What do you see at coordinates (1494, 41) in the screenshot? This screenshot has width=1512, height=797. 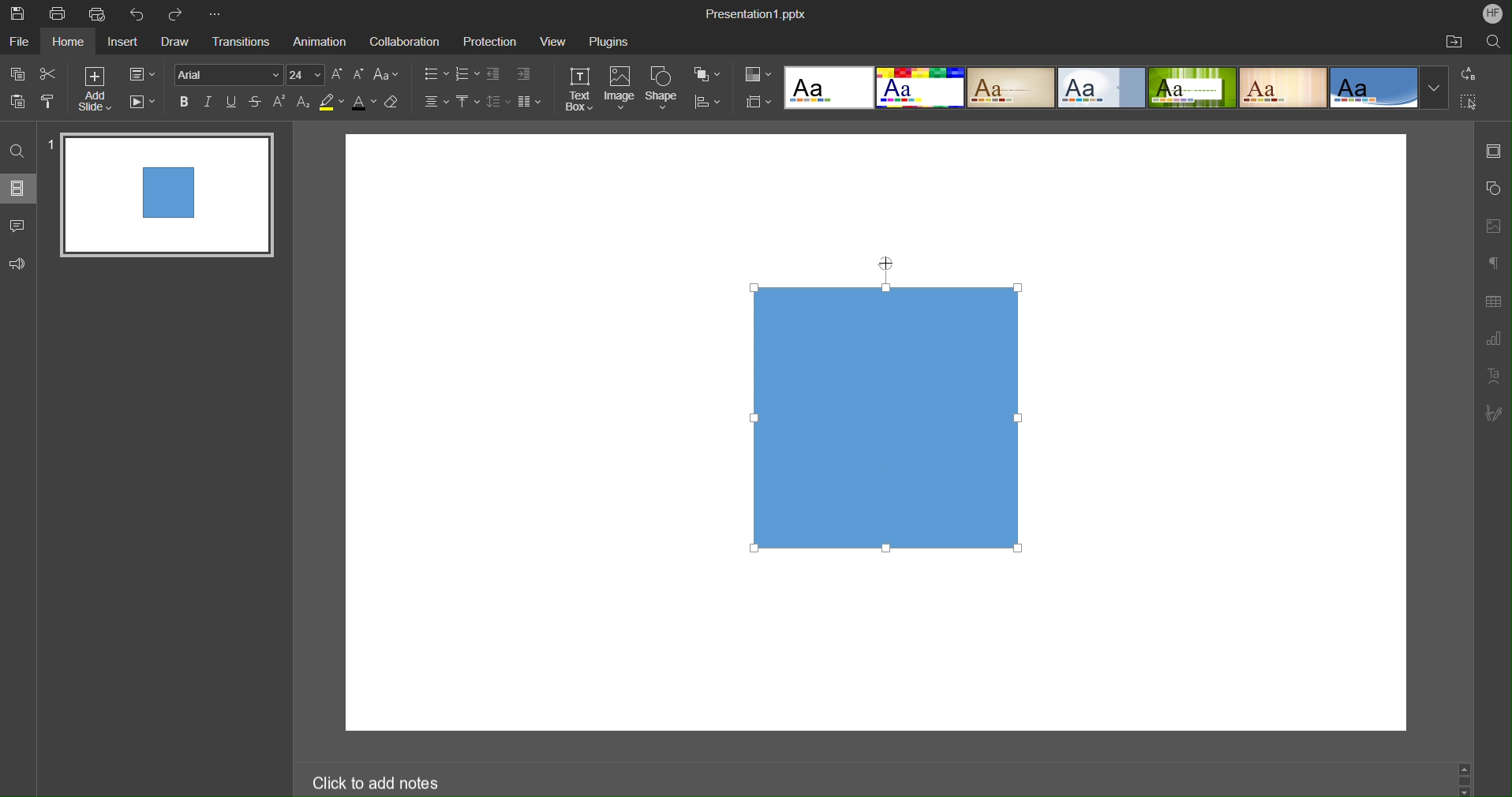 I see `Search` at bounding box center [1494, 41].